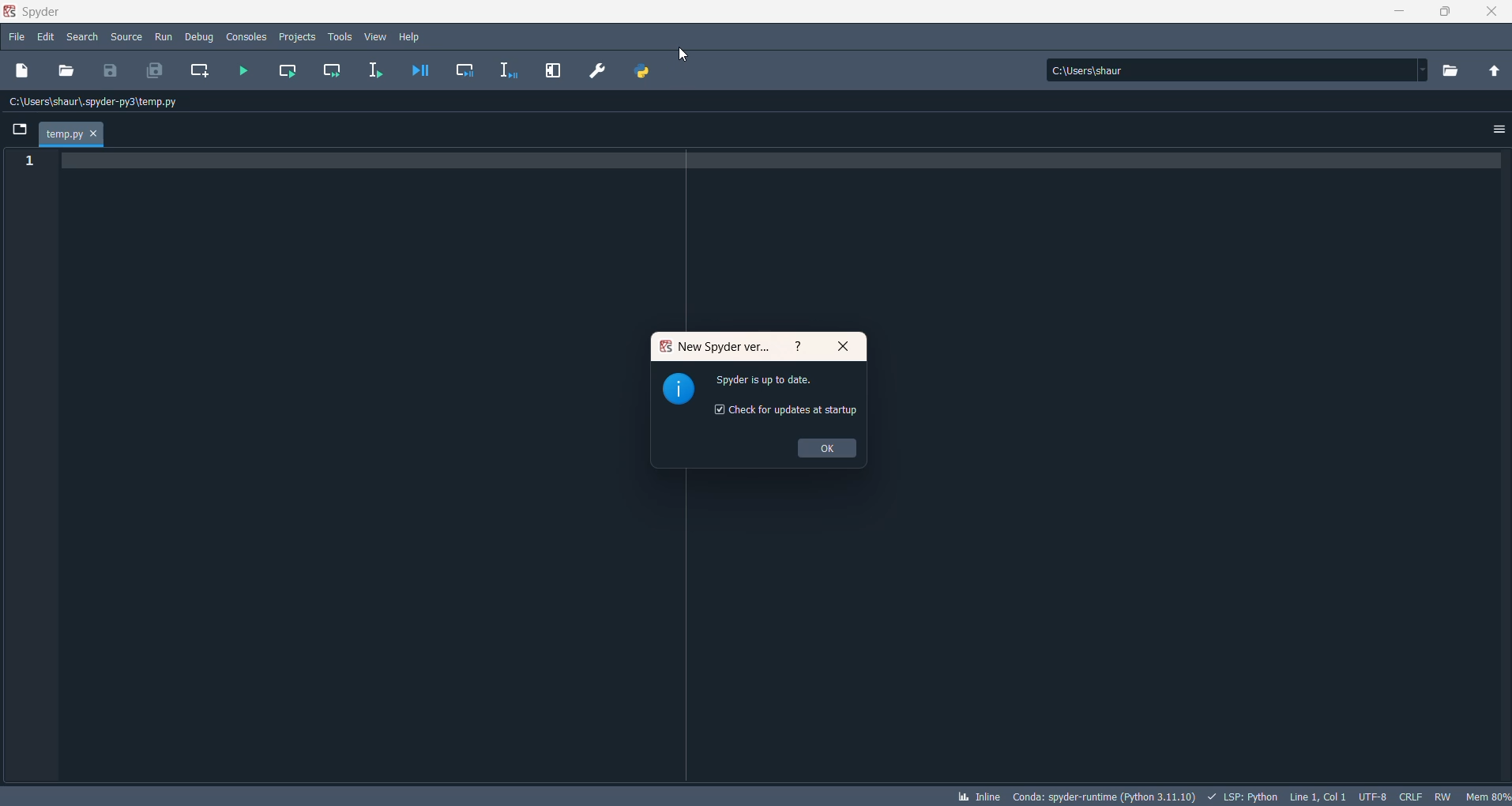 The image size is (1512, 806). I want to click on path dropdown, so click(1429, 70).